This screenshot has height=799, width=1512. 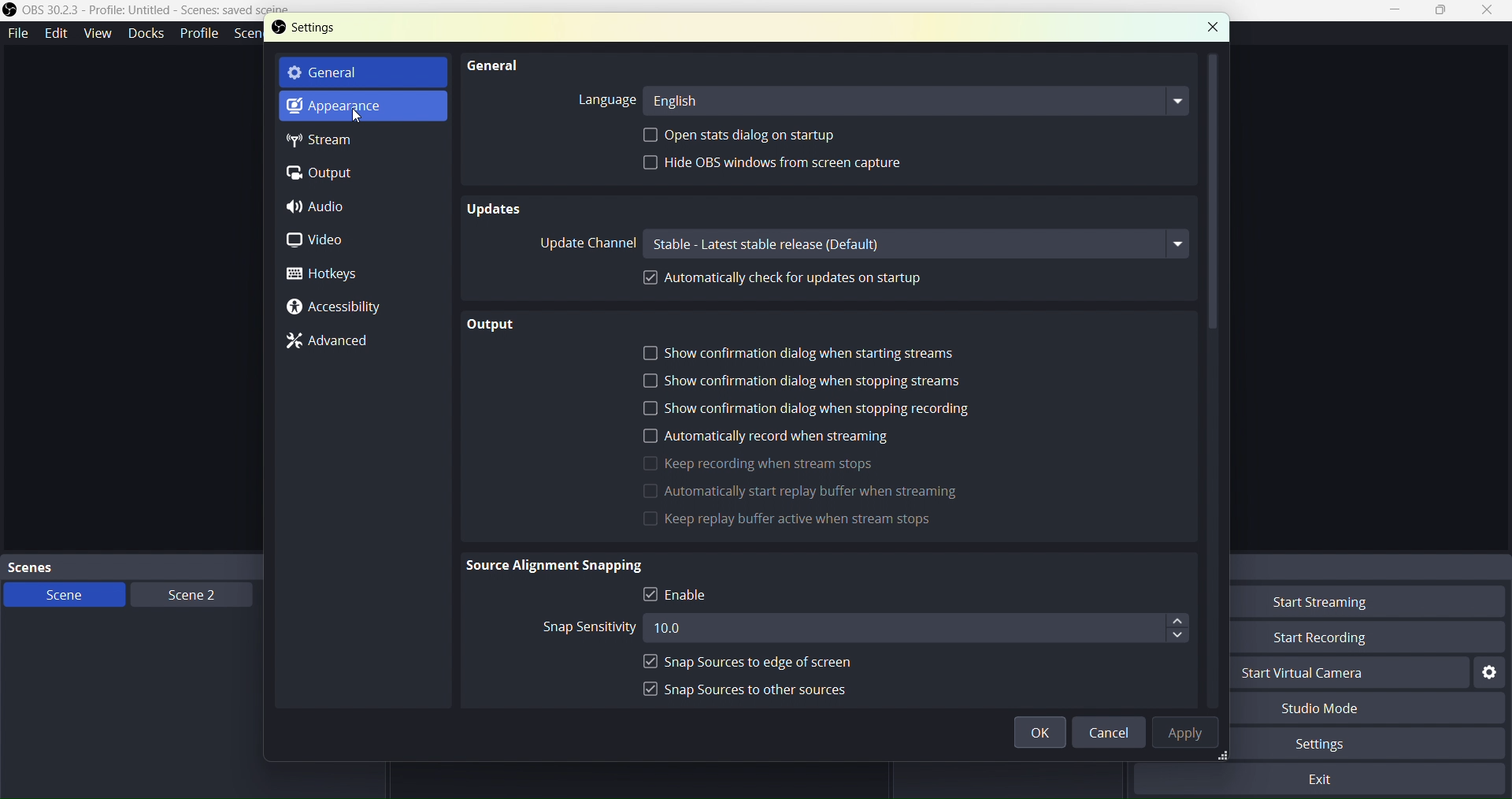 What do you see at coordinates (673, 597) in the screenshot?
I see `Enable` at bounding box center [673, 597].